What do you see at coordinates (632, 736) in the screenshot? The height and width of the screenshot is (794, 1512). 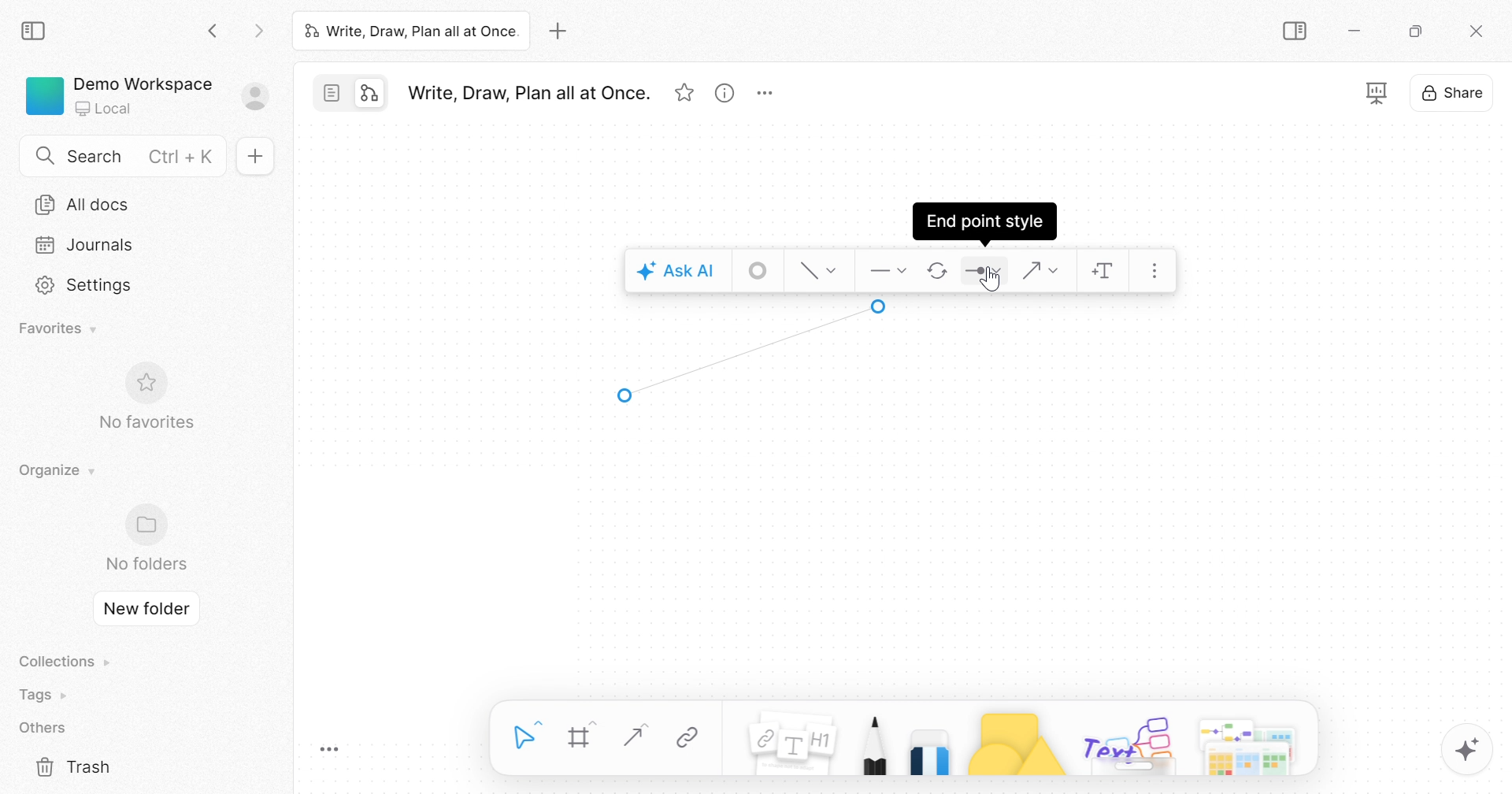 I see `Straight` at bounding box center [632, 736].